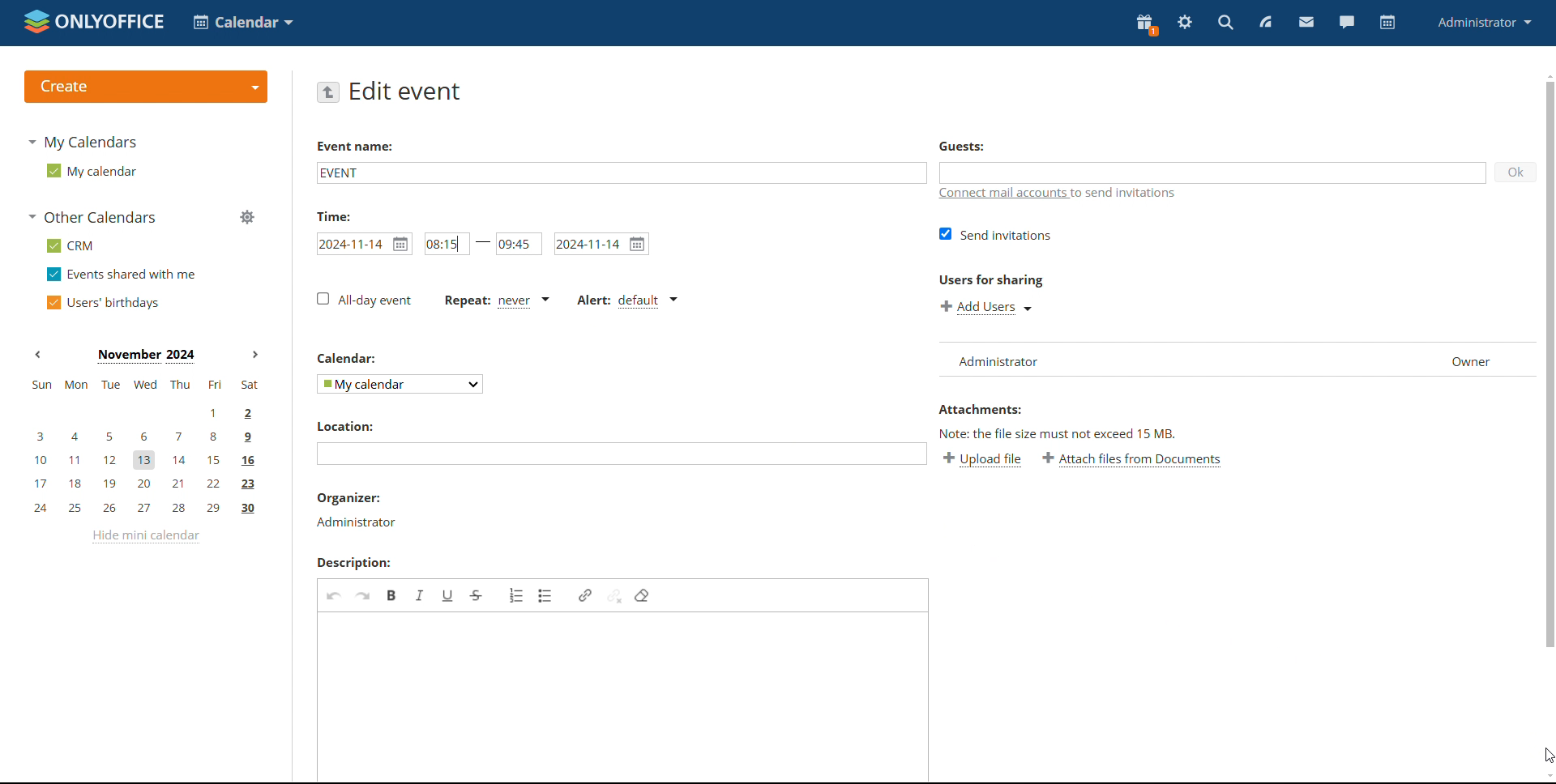 The image size is (1556, 784). What do you see at coordinates (1131, 460) in the screenshot?
I see `attach file from documents` at bounding box center [1131, 460].